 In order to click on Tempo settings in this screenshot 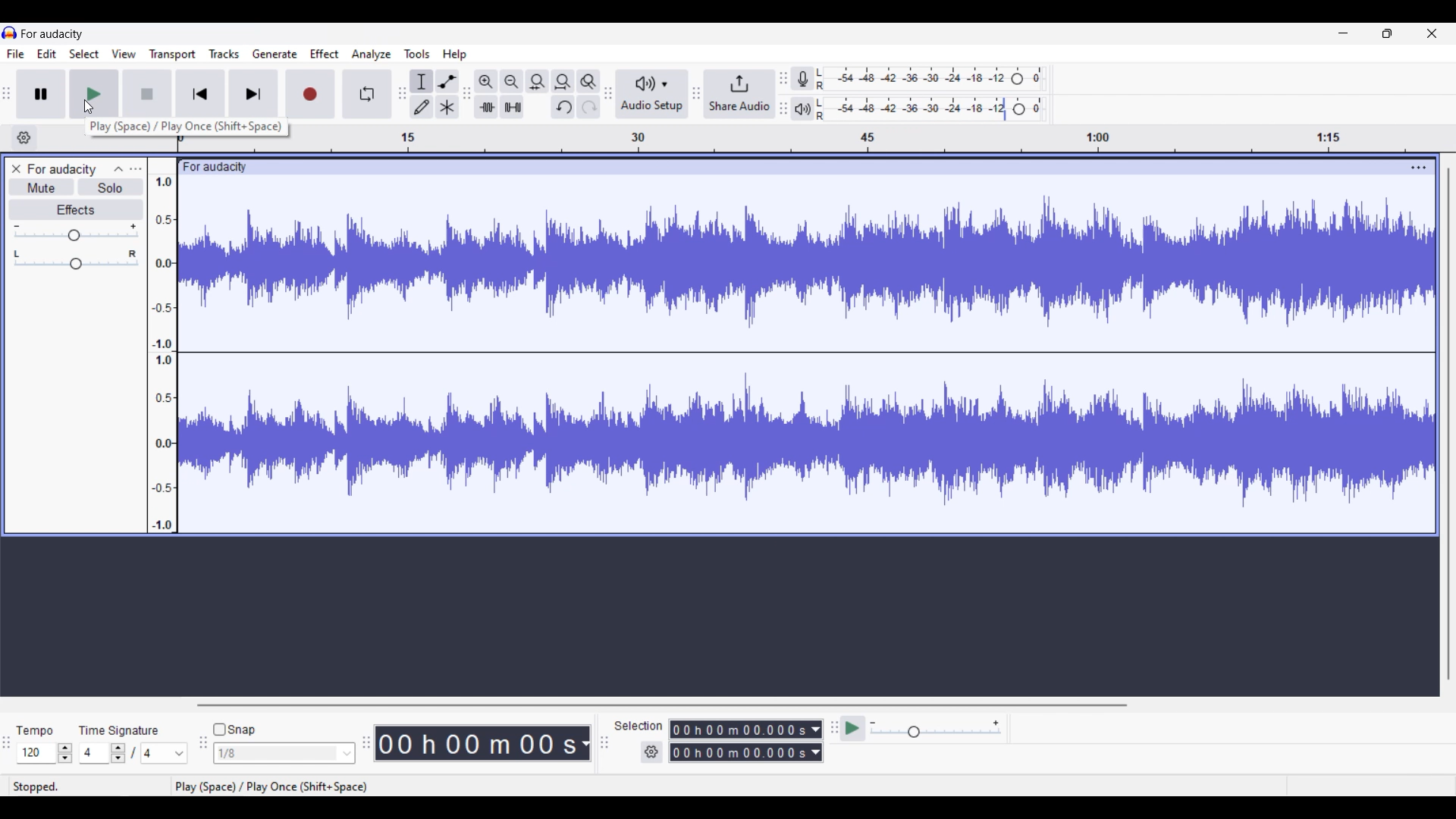, I will do `click(47, 752)`.